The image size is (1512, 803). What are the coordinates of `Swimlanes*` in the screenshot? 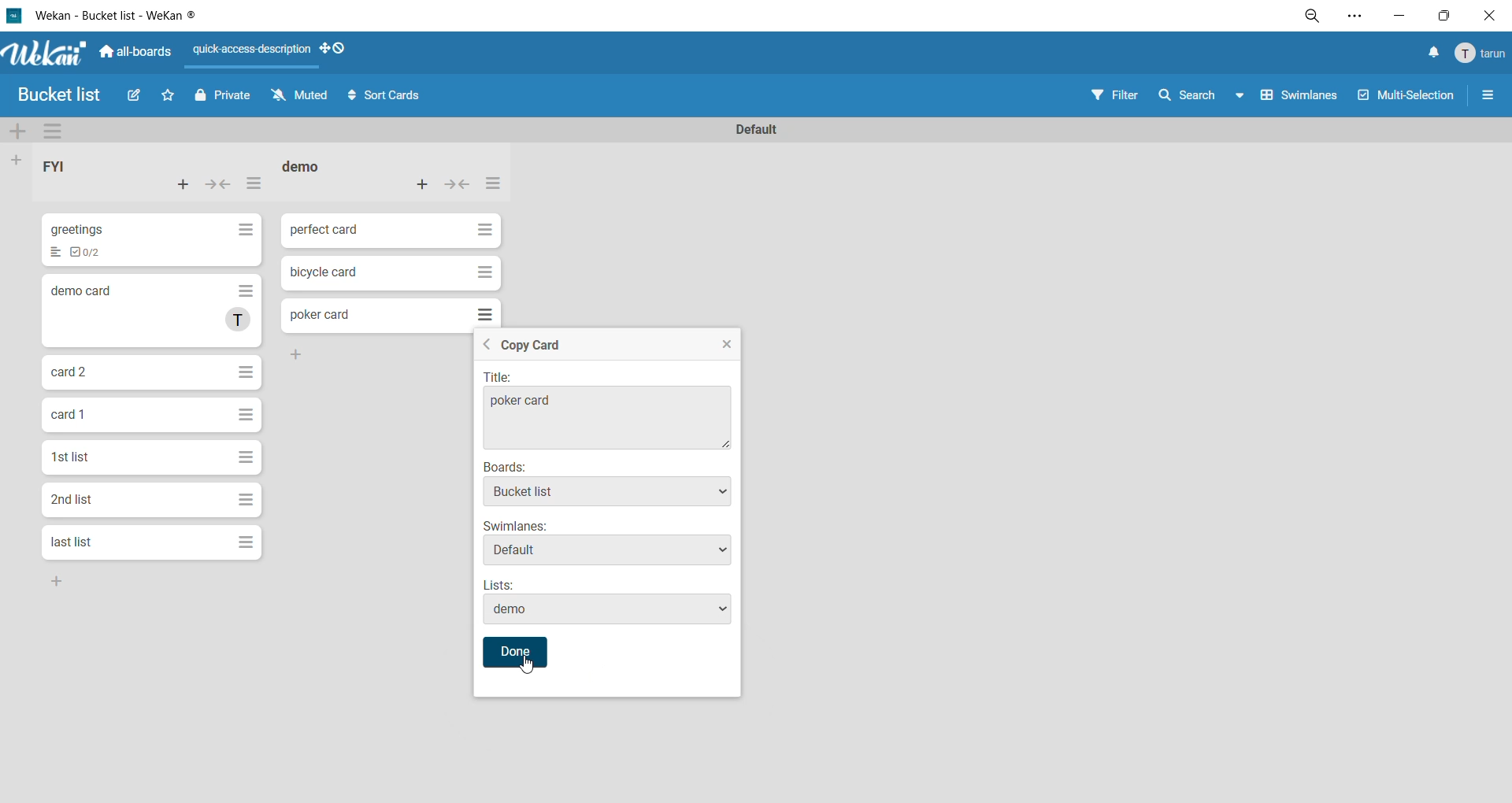 It's located at (519, 522).